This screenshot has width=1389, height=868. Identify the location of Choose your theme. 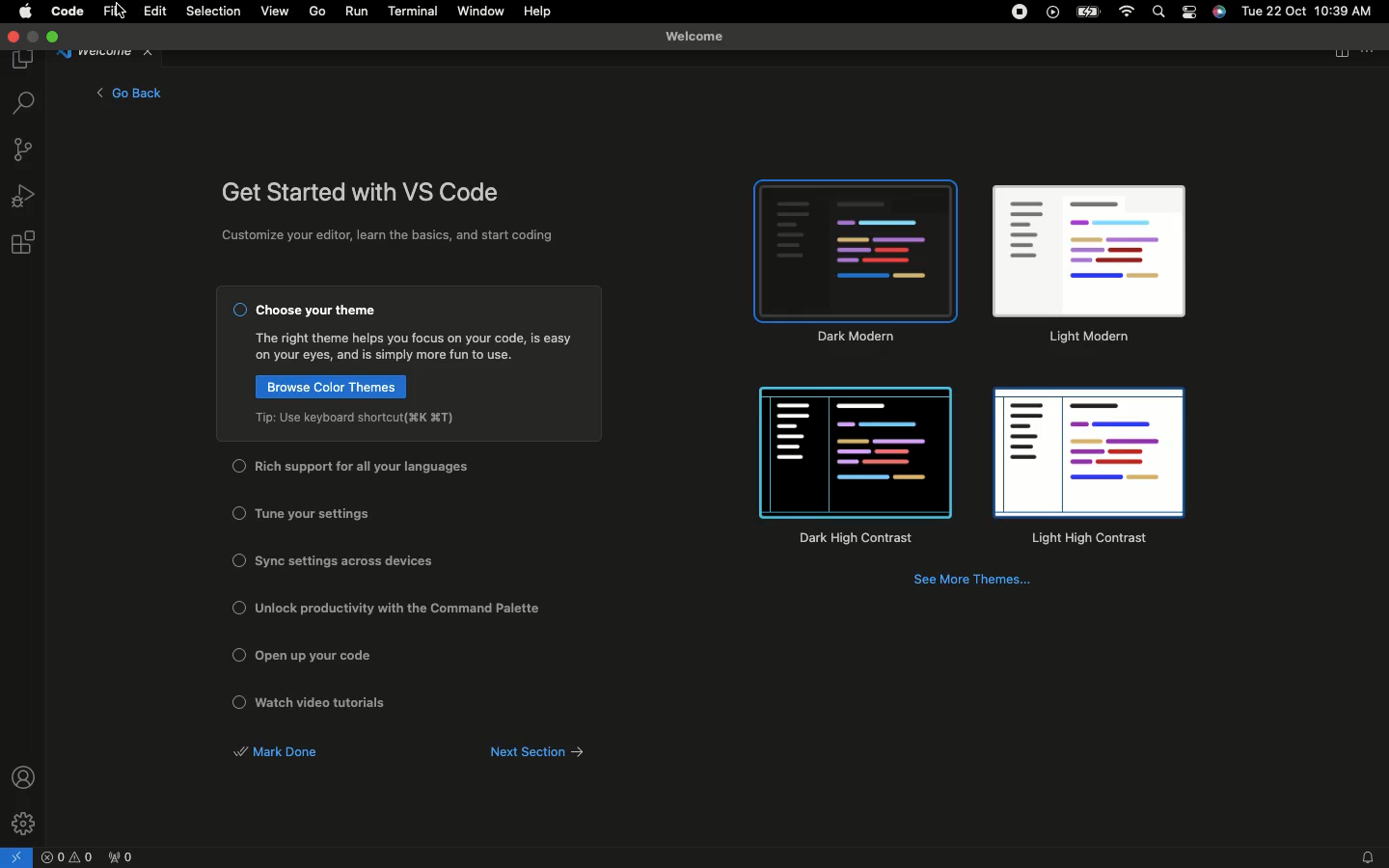
(319, 312).